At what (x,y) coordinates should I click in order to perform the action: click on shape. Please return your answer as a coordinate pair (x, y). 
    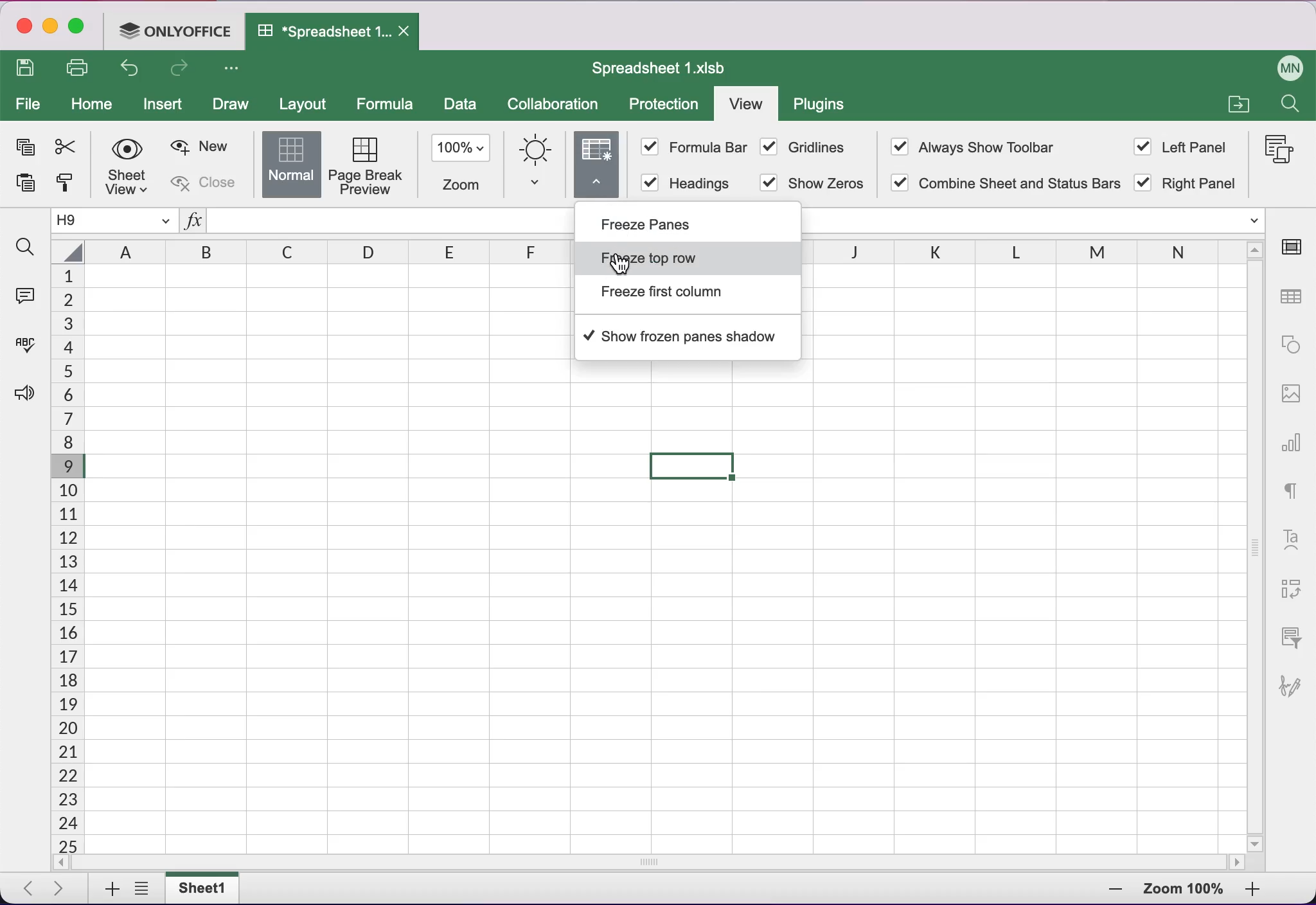
    Looking at the image, I should click on (1290, 349).